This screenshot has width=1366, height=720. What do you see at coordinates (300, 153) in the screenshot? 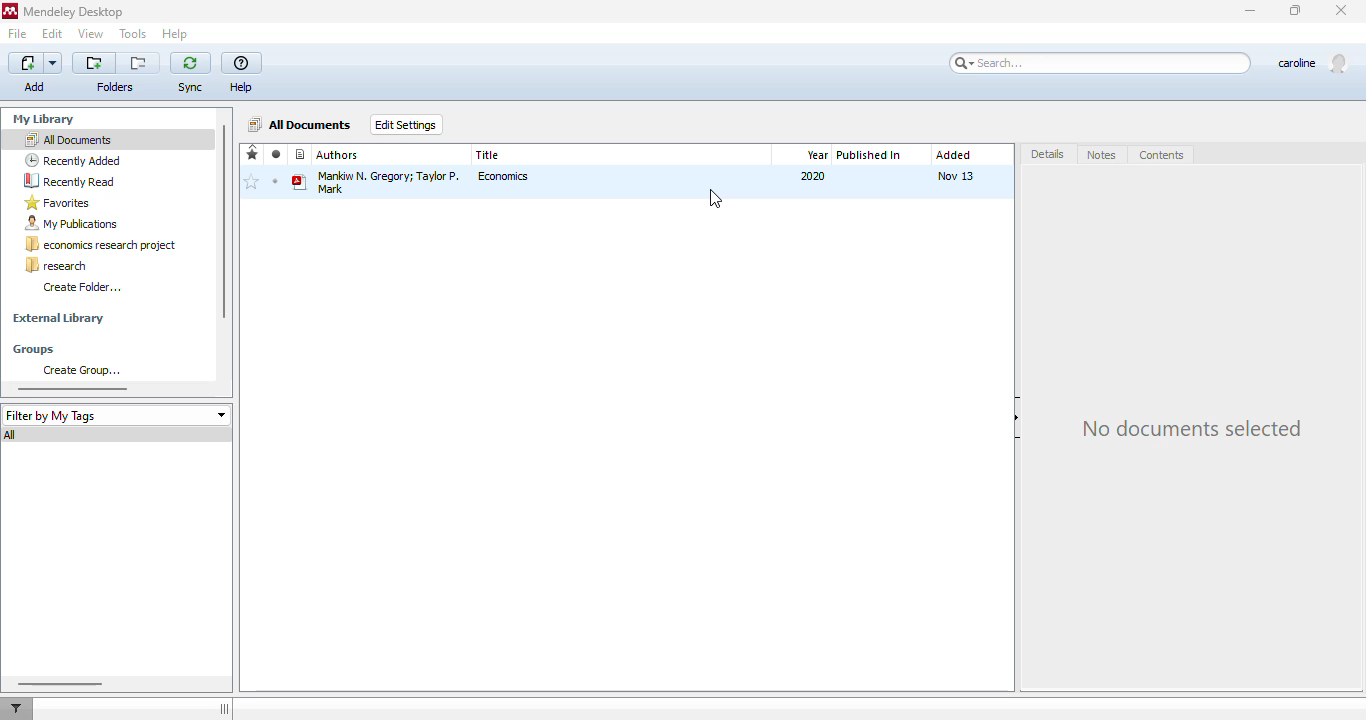
I see `recently added` at bounding box center [300, 153].